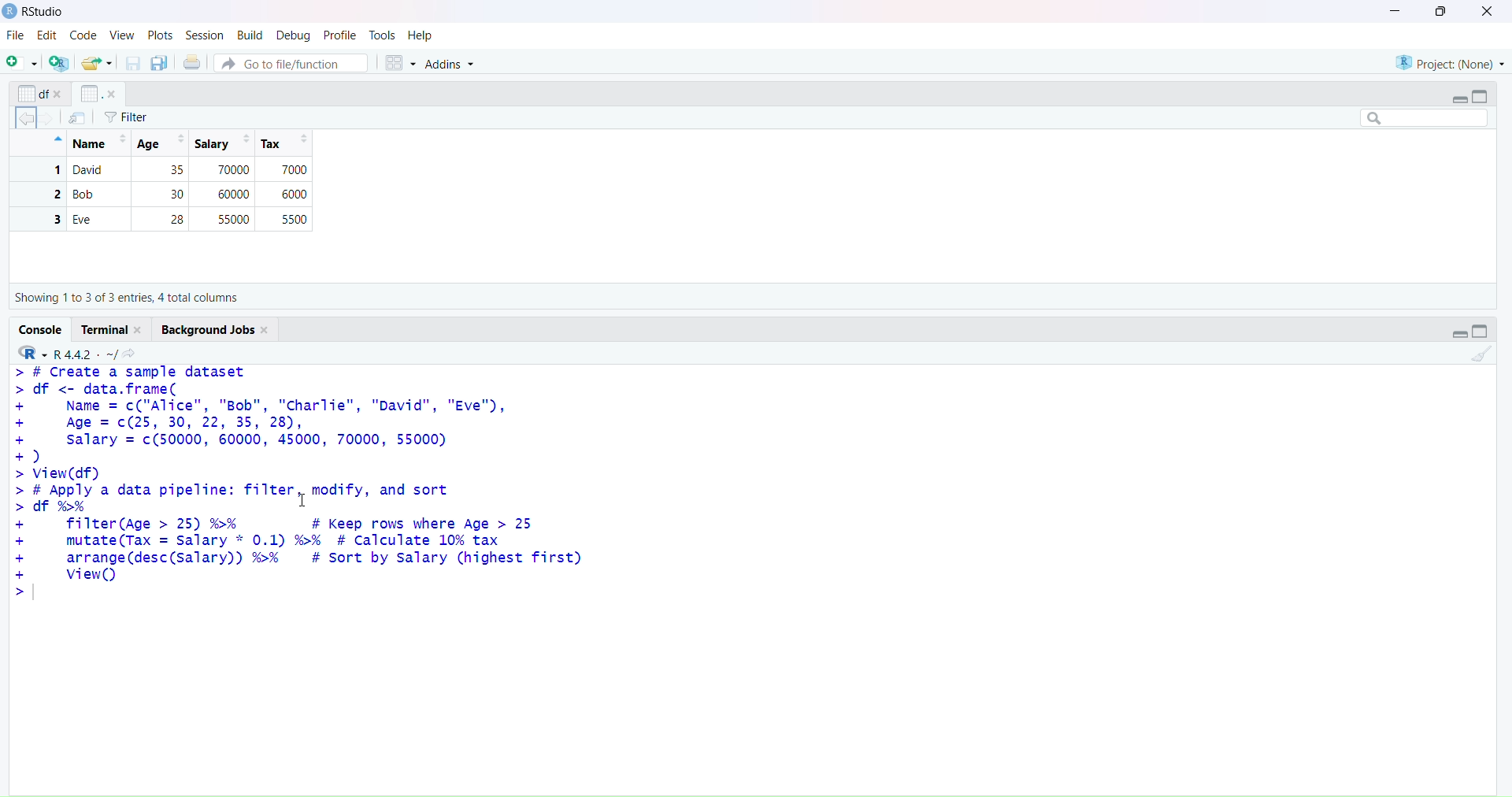  Describe the element at coordinates (423, 35) in the screenshot. I see `help` at that location.